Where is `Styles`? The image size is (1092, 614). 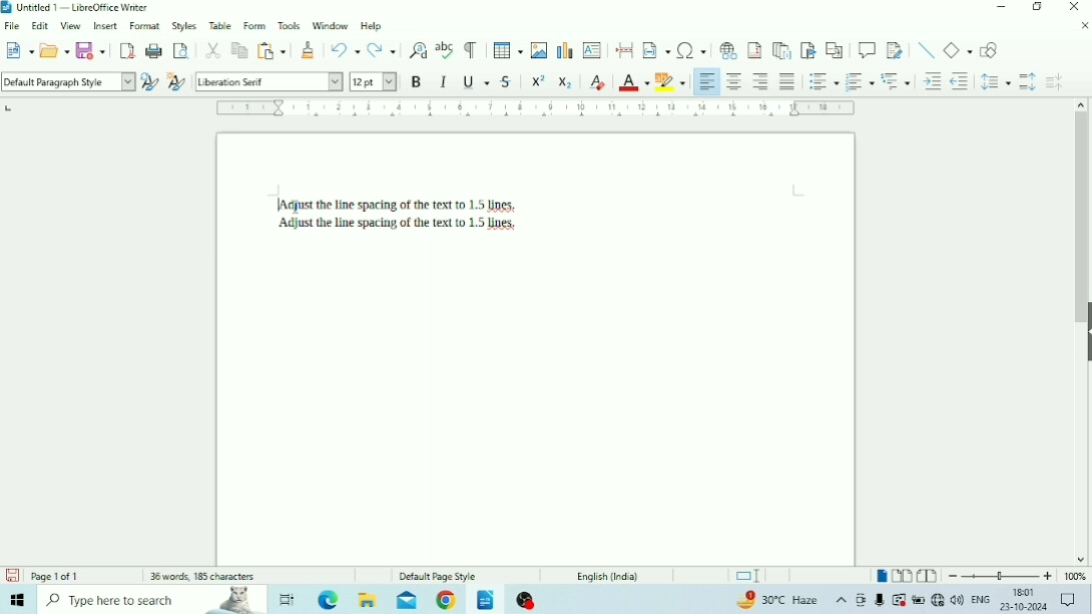
Styles is located at coordinates (184, 25).